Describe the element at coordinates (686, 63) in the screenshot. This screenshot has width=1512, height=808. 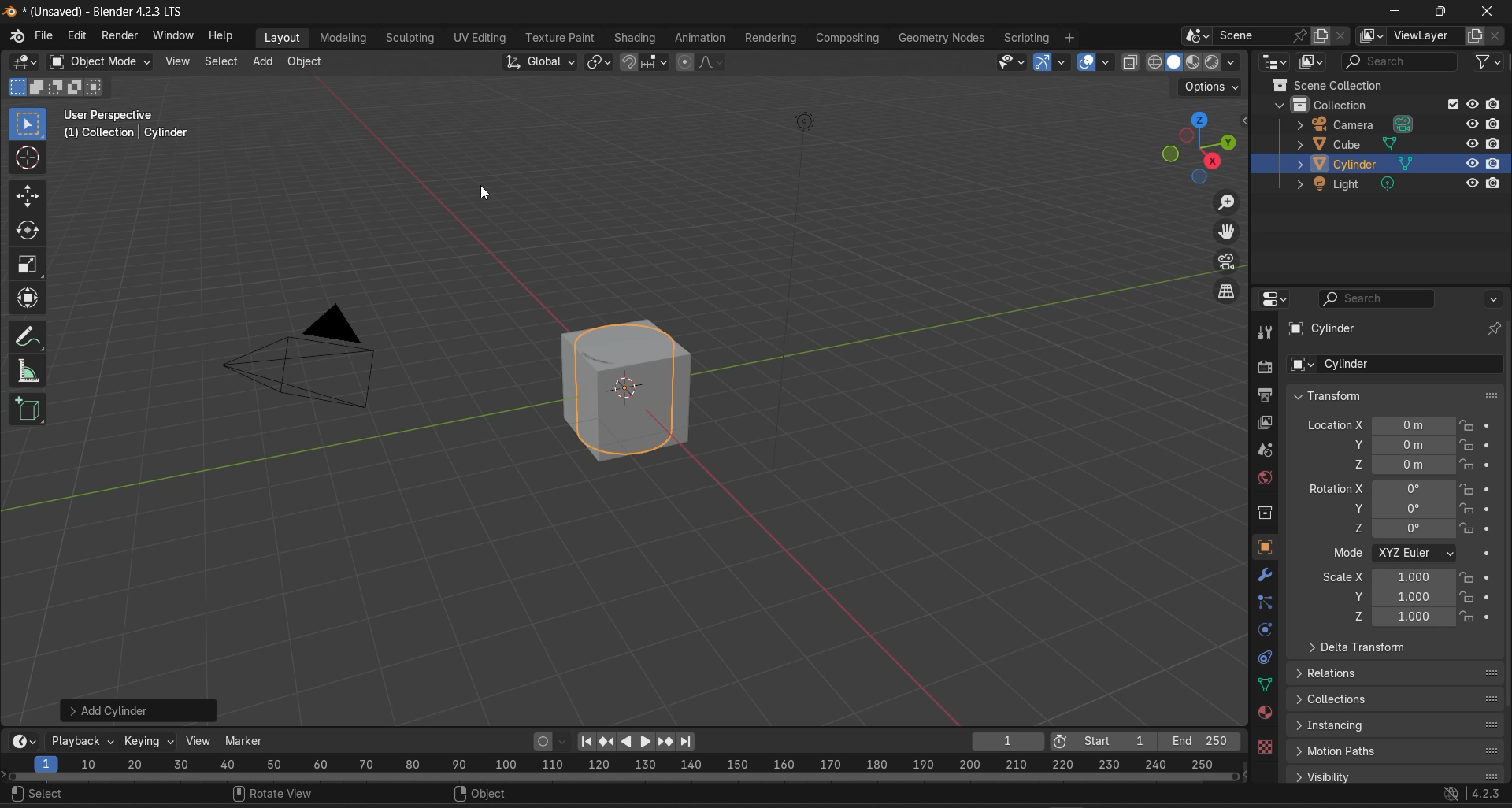
I see `proportional editing objects` at that location.